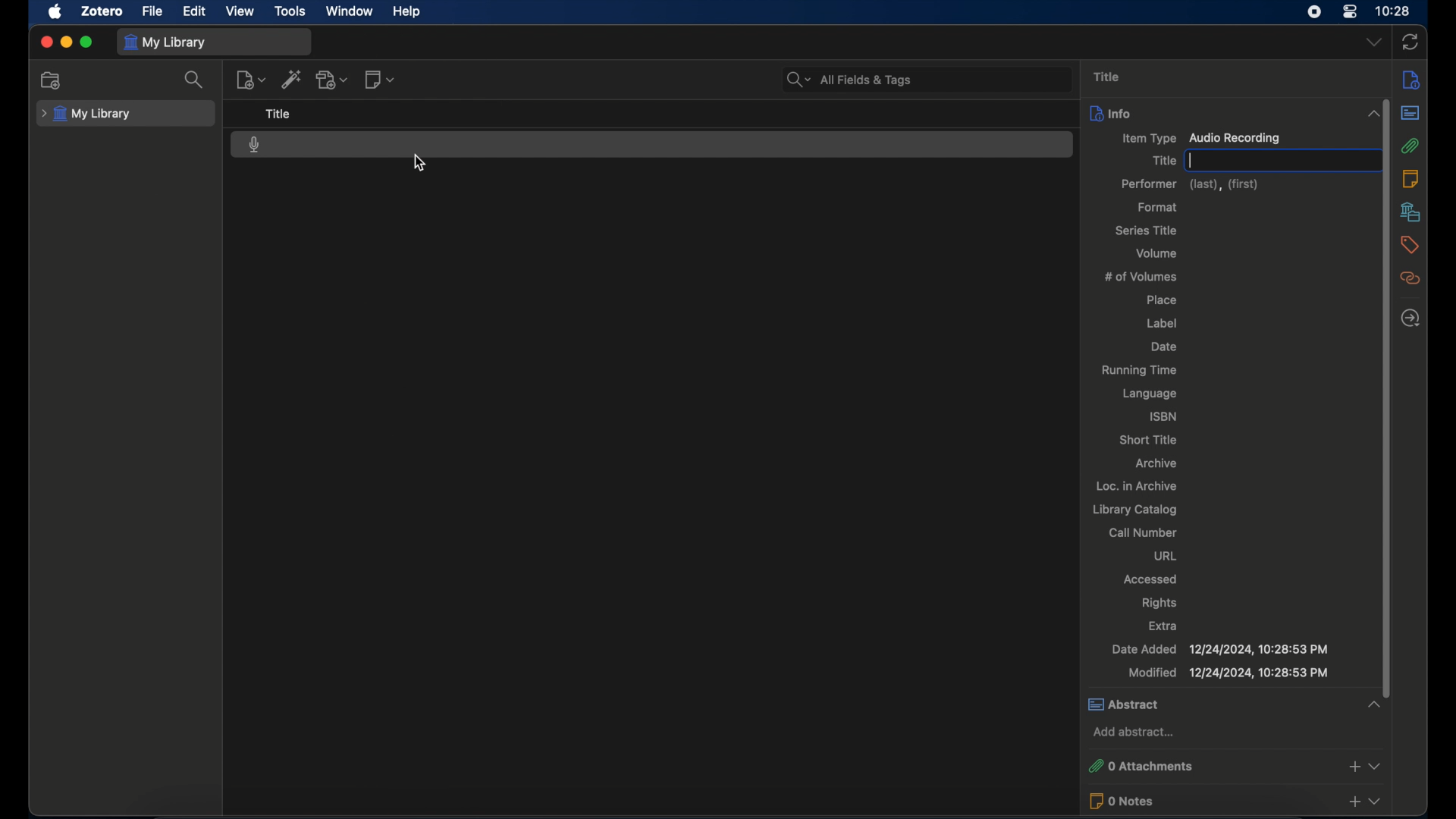  I want to click on date added, so click(1220, 649).